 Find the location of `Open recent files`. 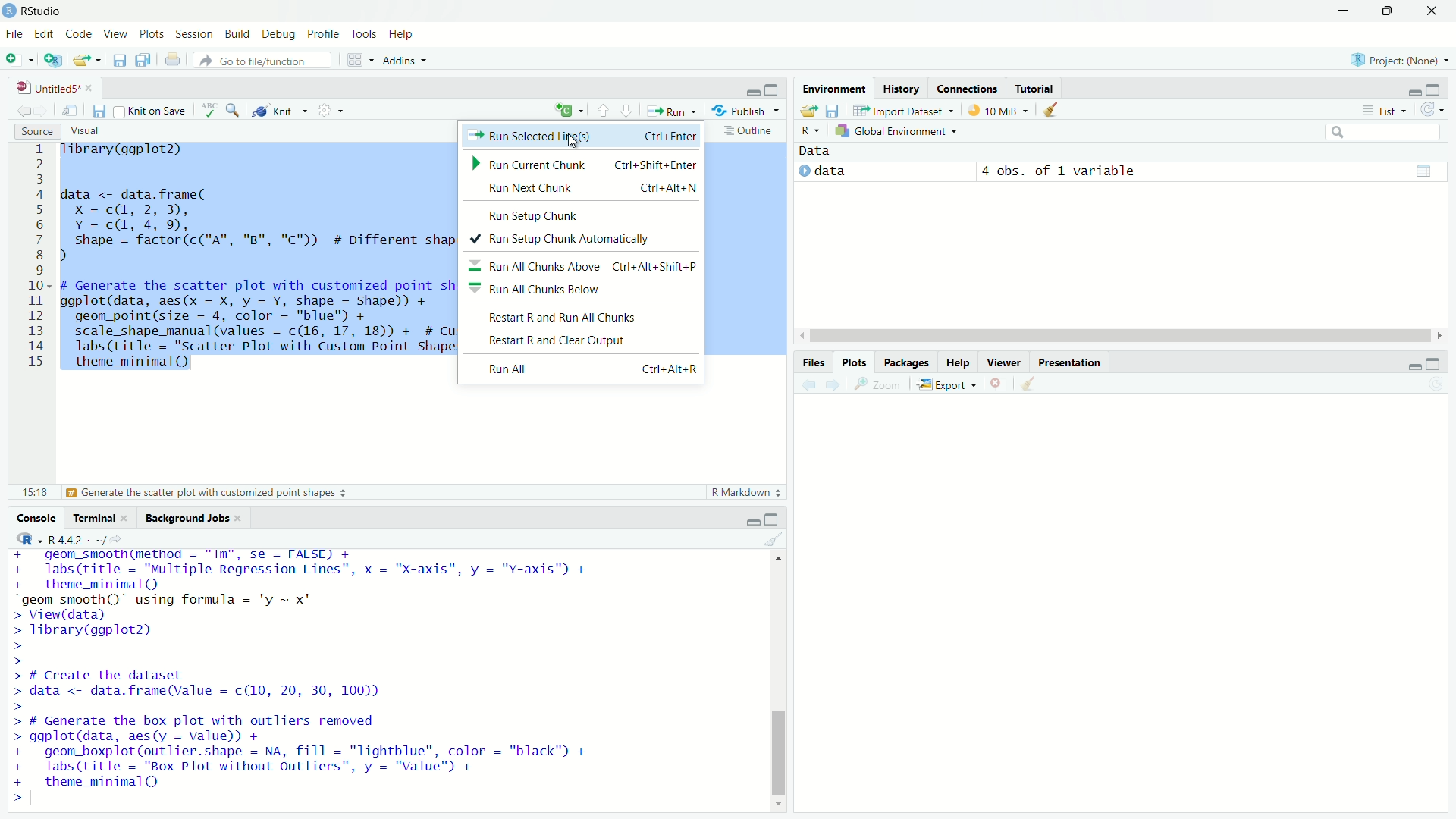

Open recent files is located at coordinates (99, 60).